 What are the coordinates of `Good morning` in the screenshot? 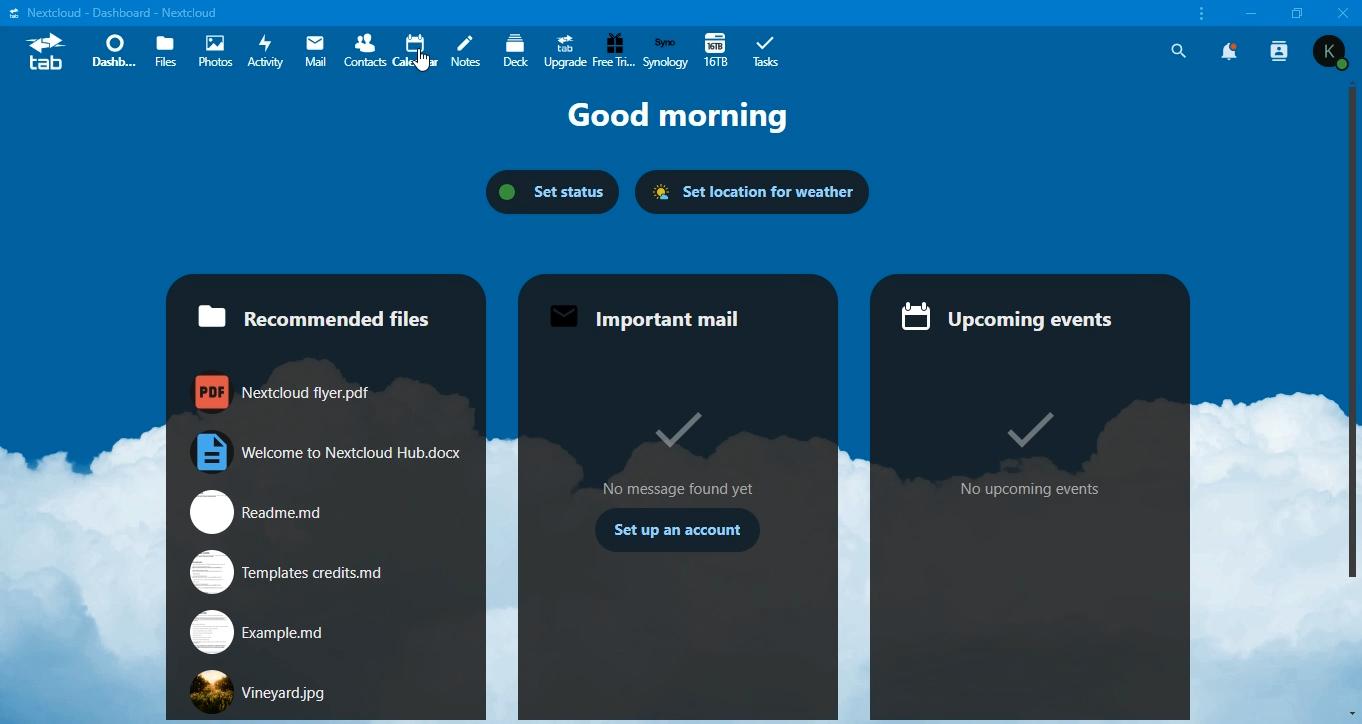 It's located at (689, 119).